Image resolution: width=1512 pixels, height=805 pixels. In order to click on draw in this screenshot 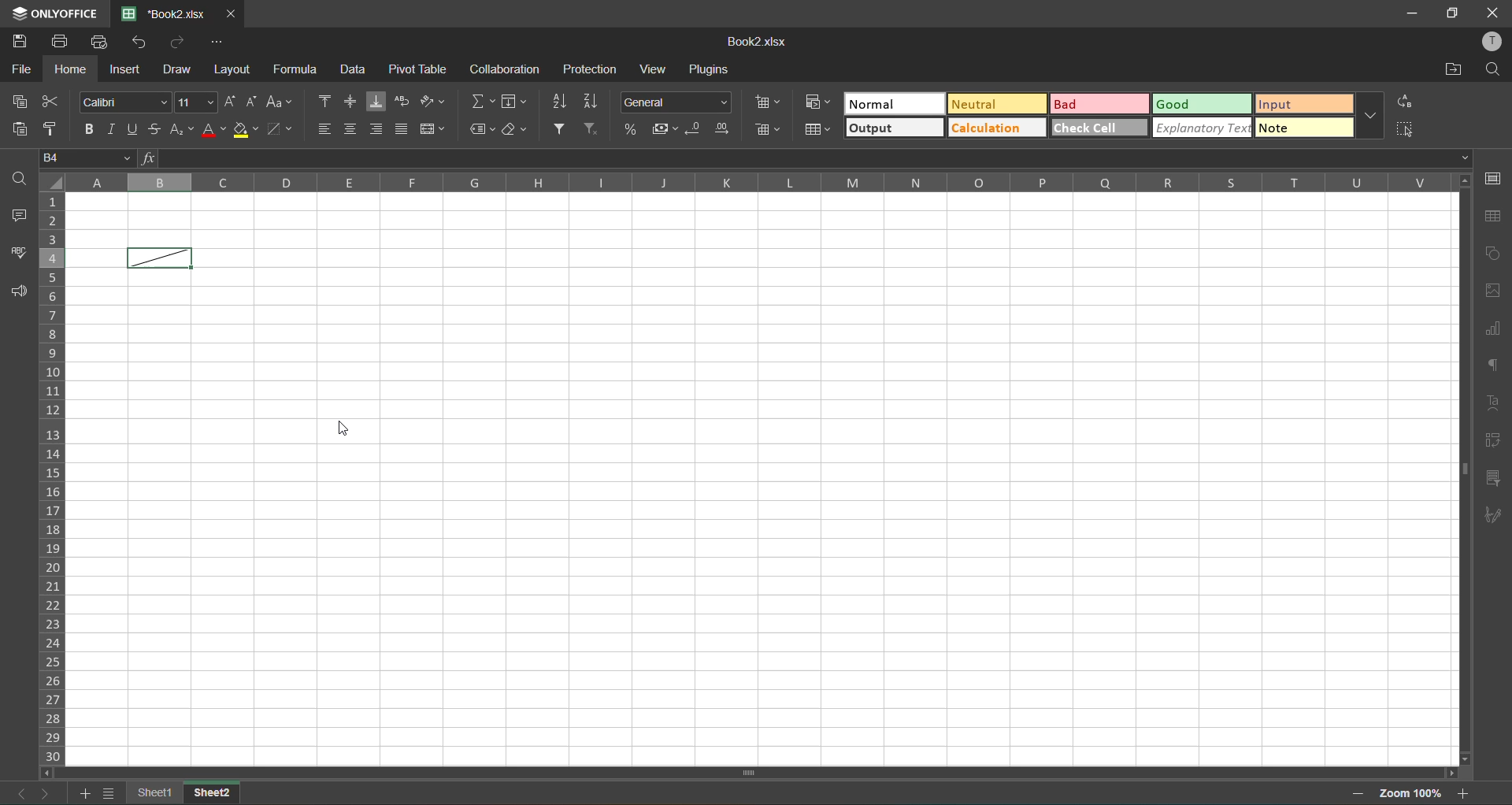, I will do `click(180, 68)`.